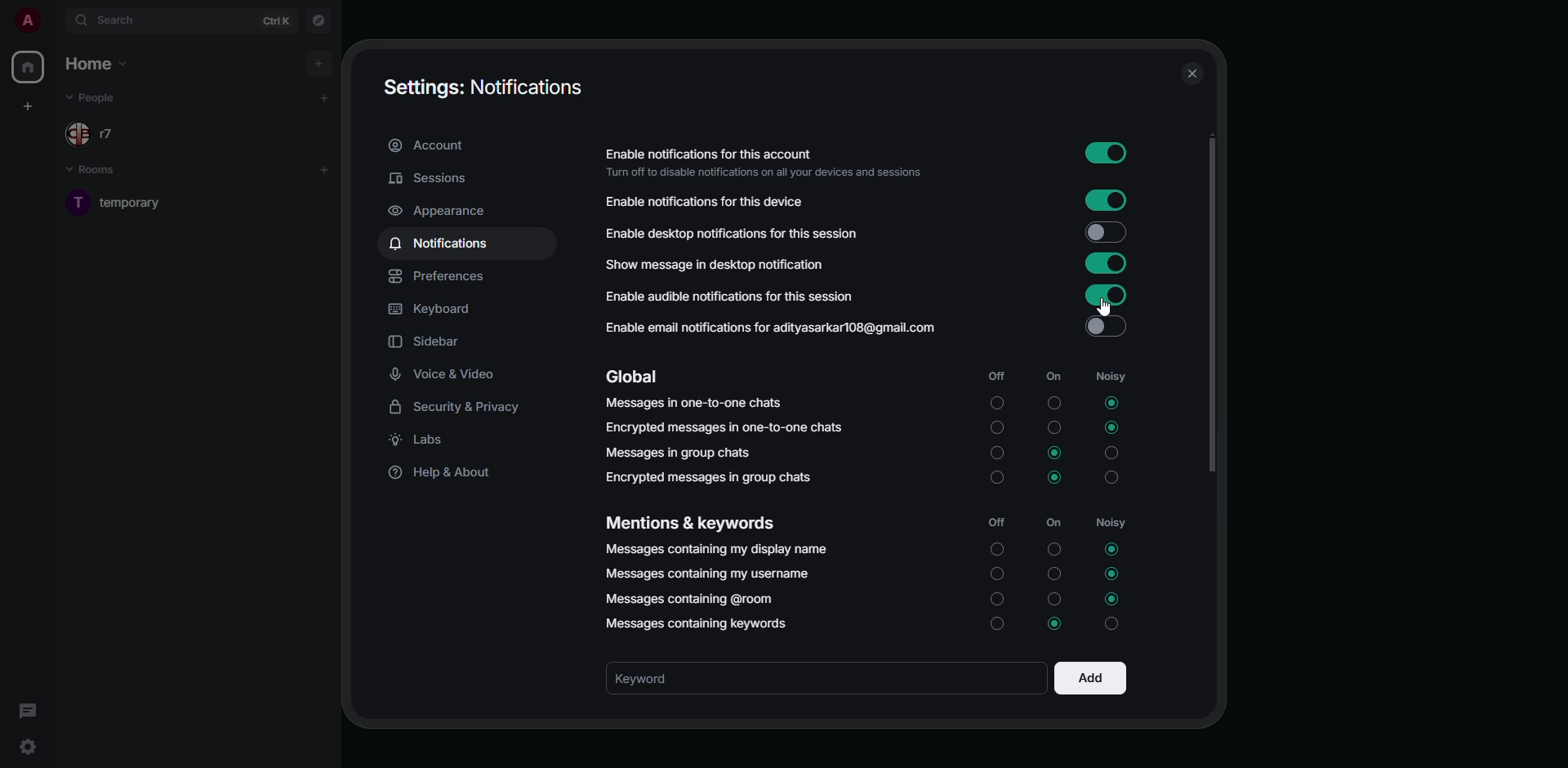 This screenshot has height=768, width=1568. Describe the element at coordinates (709, 574) in the screenshot. I see `messages containing username` at that location.